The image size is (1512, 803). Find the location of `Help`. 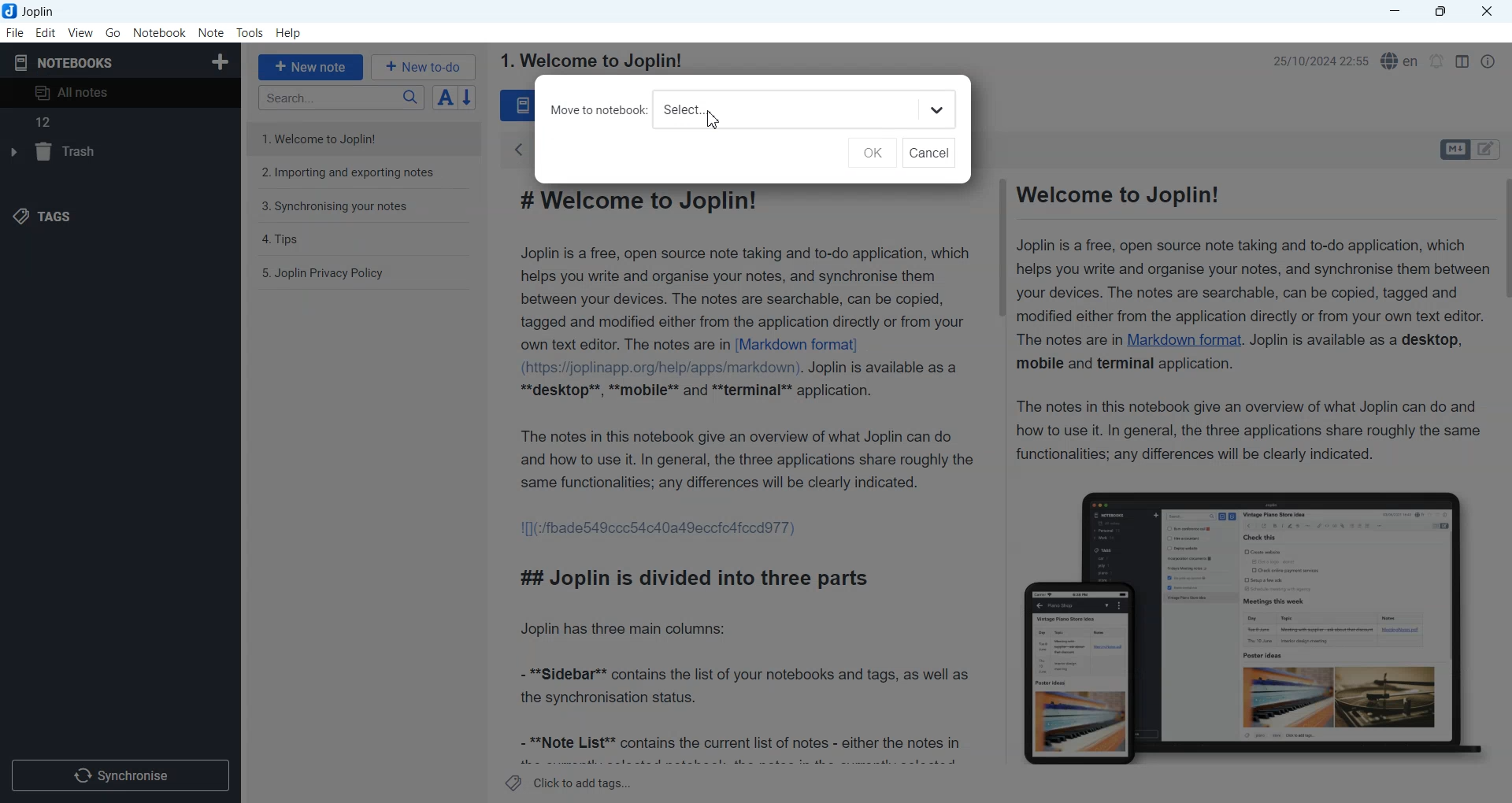

Help is located at coordinates (290, 34).